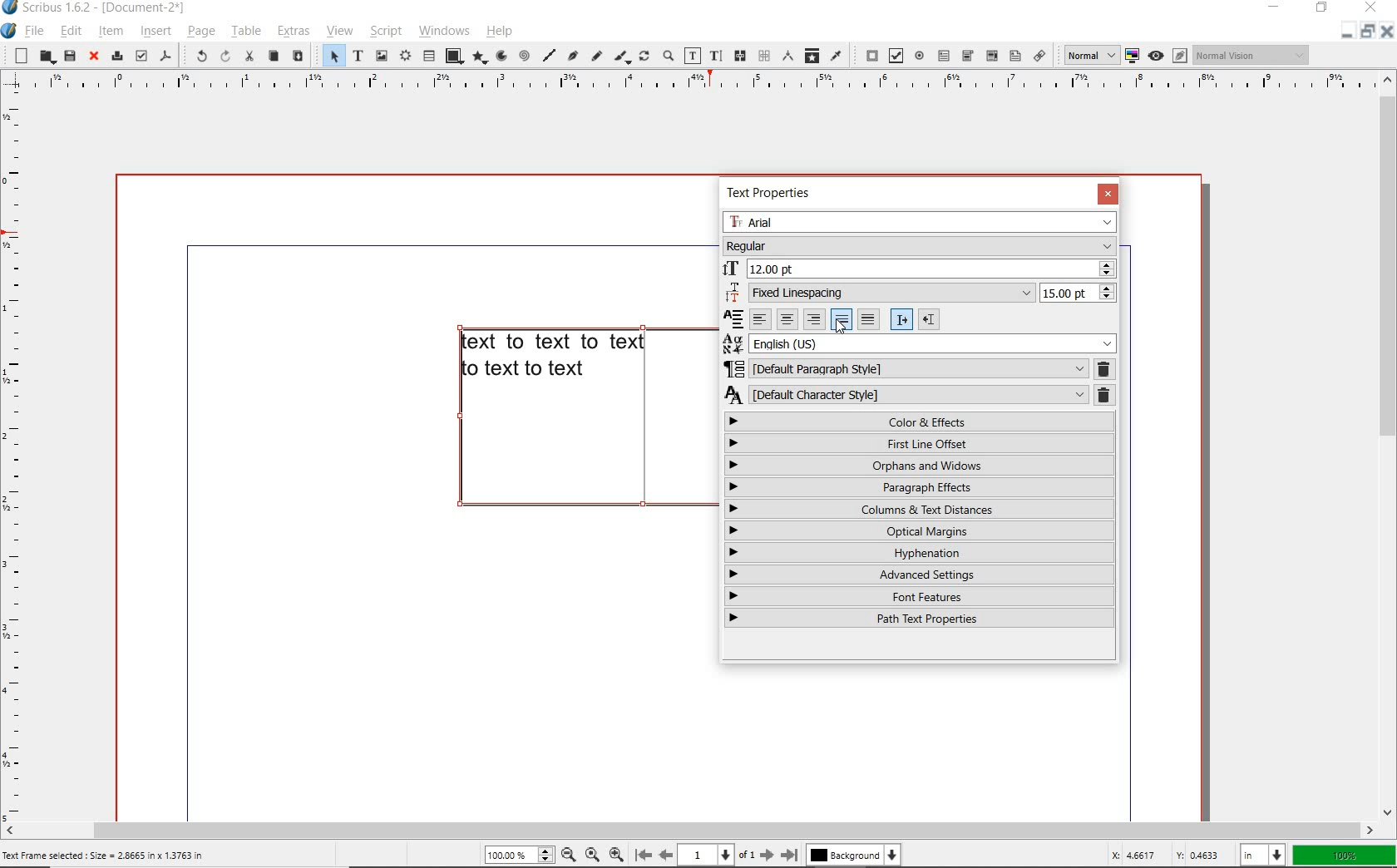 The height and width of the screenshot is (868, 1397). I want to click on pdf list box, so click(1014, 55).